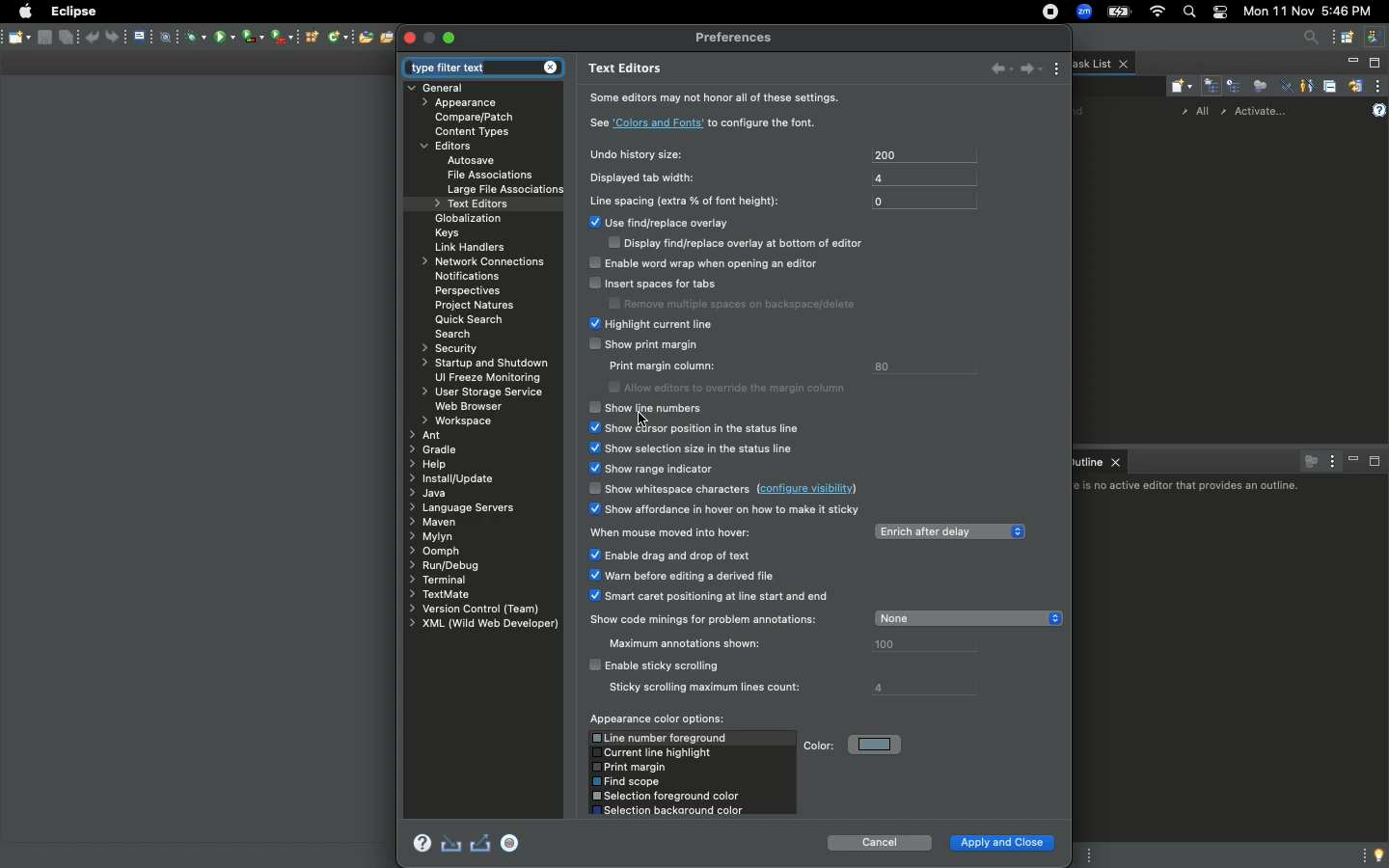 This screenshot has width=1389, height=868. What do you see at coordinates (1083, 14) in the screenshot?
I see `Zoom` at bounding box center [1083, 14].